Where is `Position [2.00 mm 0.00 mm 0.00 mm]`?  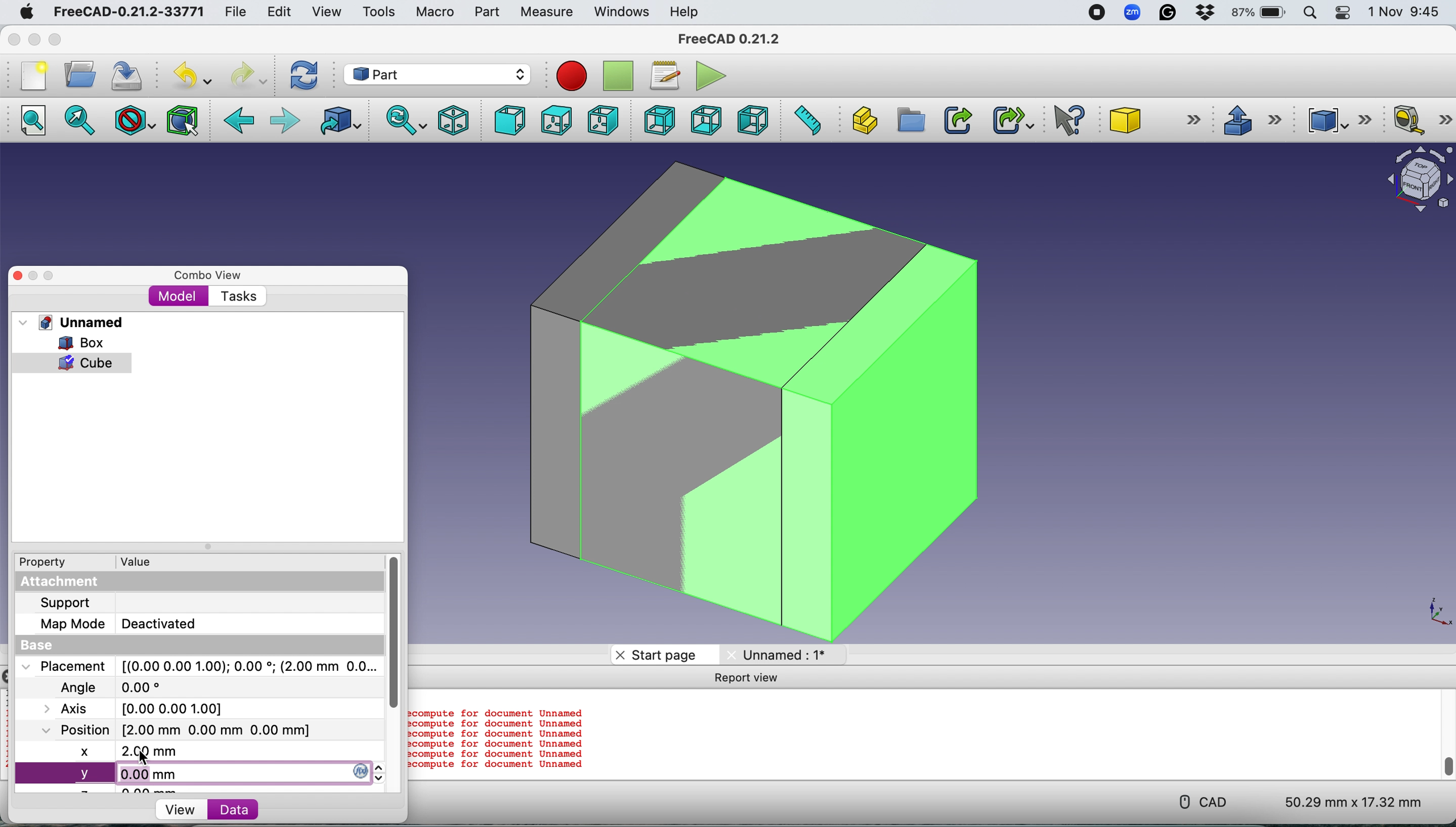 Position [2.00 mm 0.00 mm 0.00 mm] is located at coordinates (173, 729).